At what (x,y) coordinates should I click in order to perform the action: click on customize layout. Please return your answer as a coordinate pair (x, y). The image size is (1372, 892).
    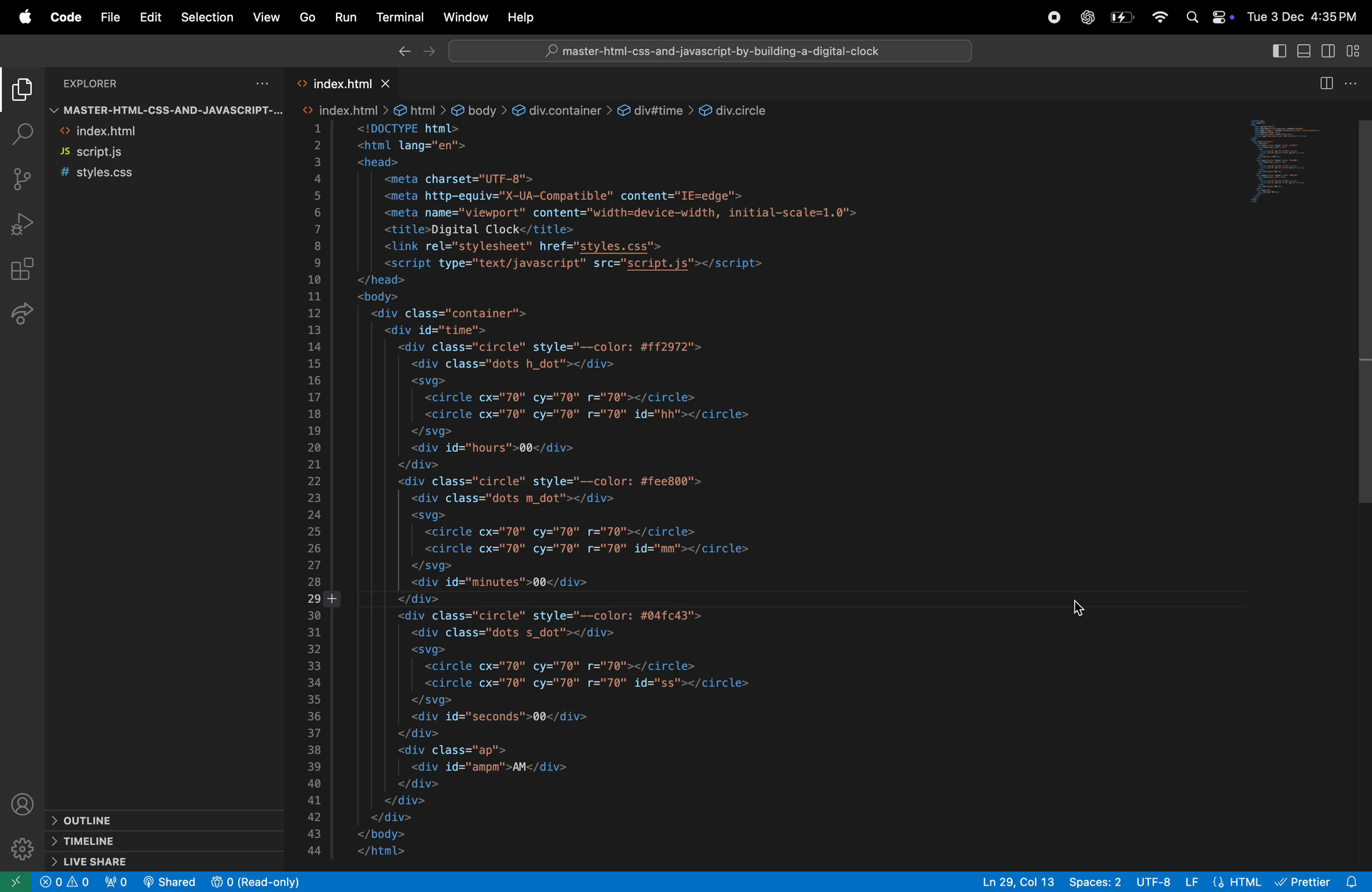
    Looking at the image, I should click on (1358, 50).